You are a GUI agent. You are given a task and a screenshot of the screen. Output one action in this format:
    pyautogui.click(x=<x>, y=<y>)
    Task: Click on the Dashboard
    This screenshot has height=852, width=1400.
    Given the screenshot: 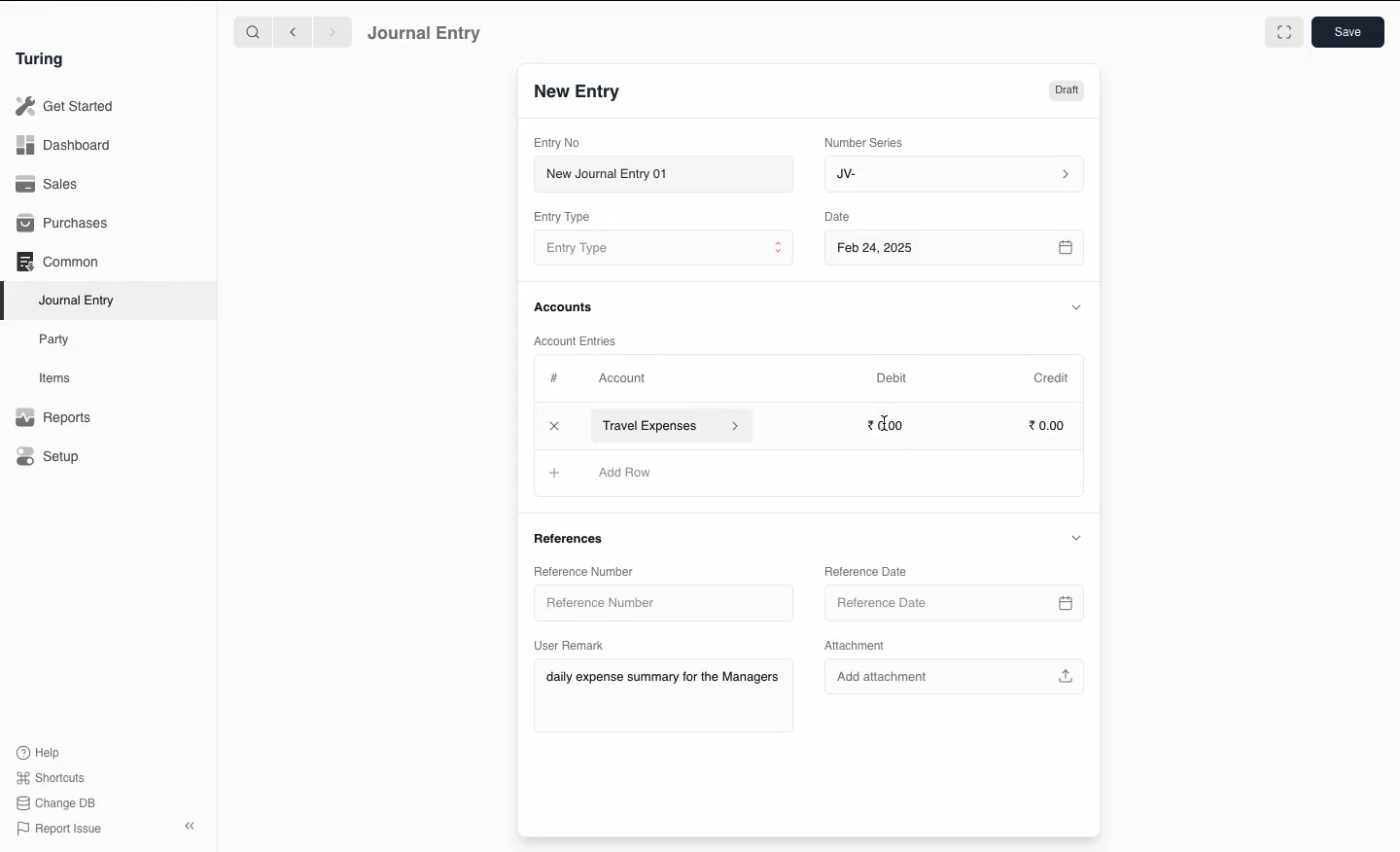 What is the action you would take?
    pyautogui.click(x=63, y=146)
    